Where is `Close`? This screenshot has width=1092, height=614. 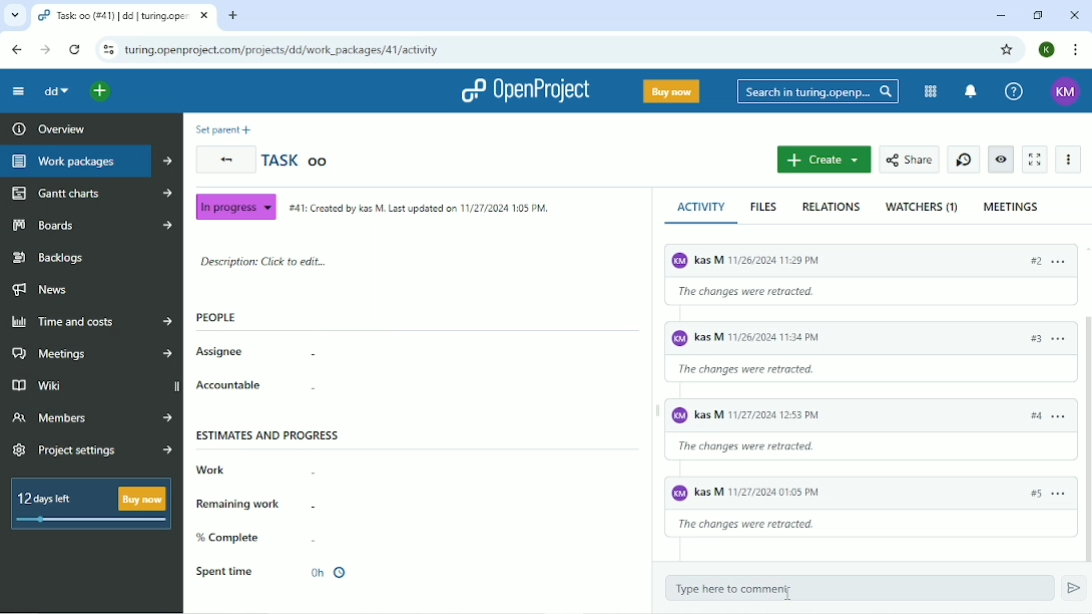 Close is located at coordinates (1074, 15).